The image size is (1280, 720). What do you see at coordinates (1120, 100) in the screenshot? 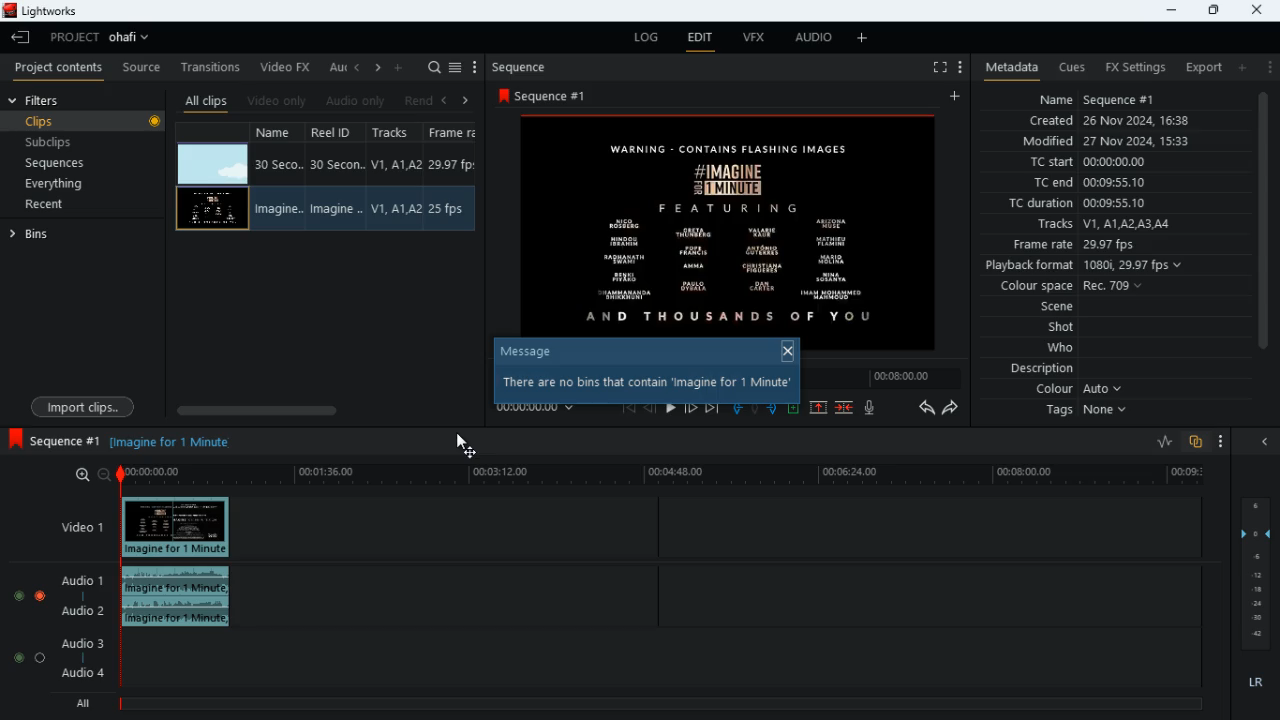
I see `name` at bounding box center [1120, 100].